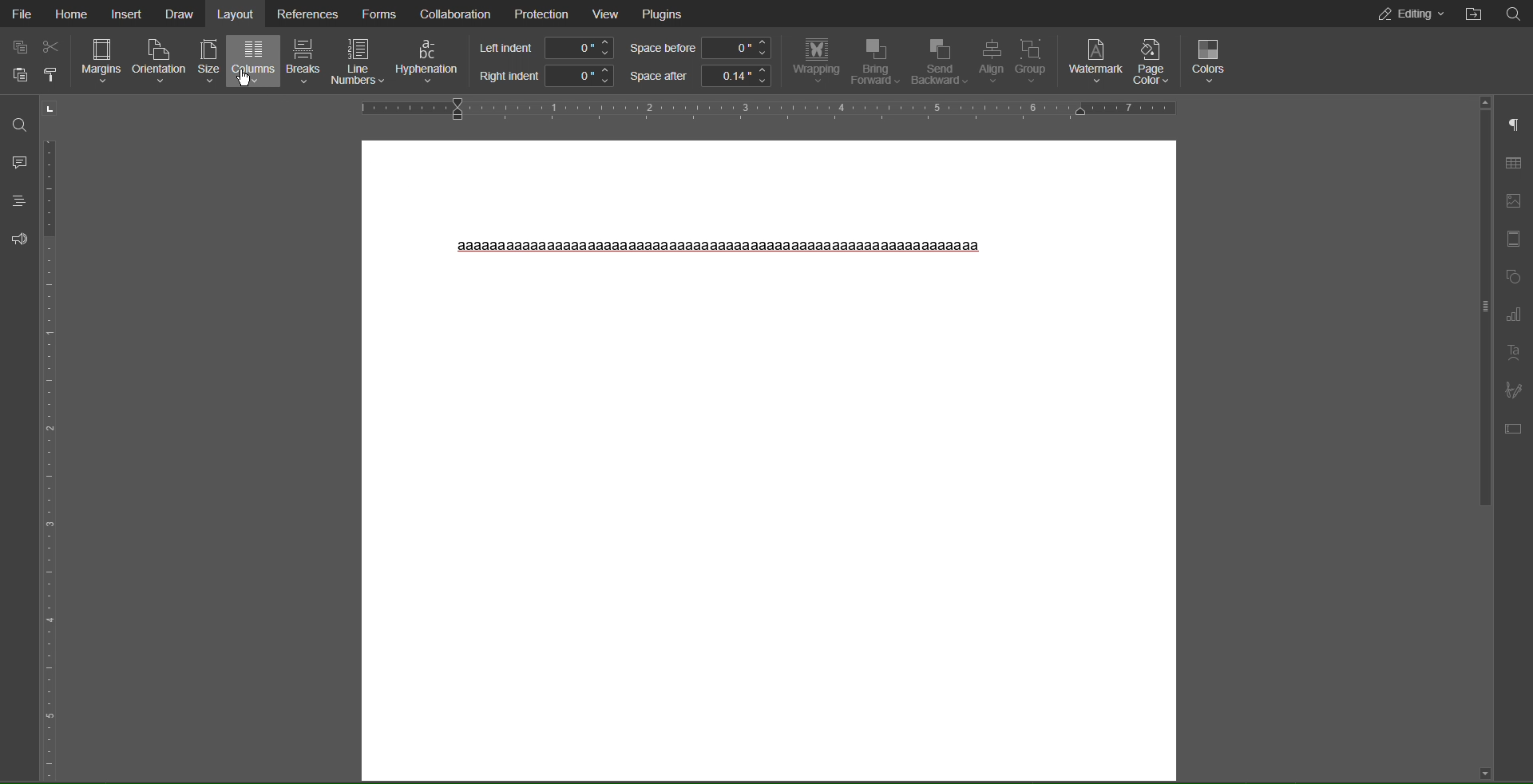  I want to click on Wrapping, so click(814, 62).